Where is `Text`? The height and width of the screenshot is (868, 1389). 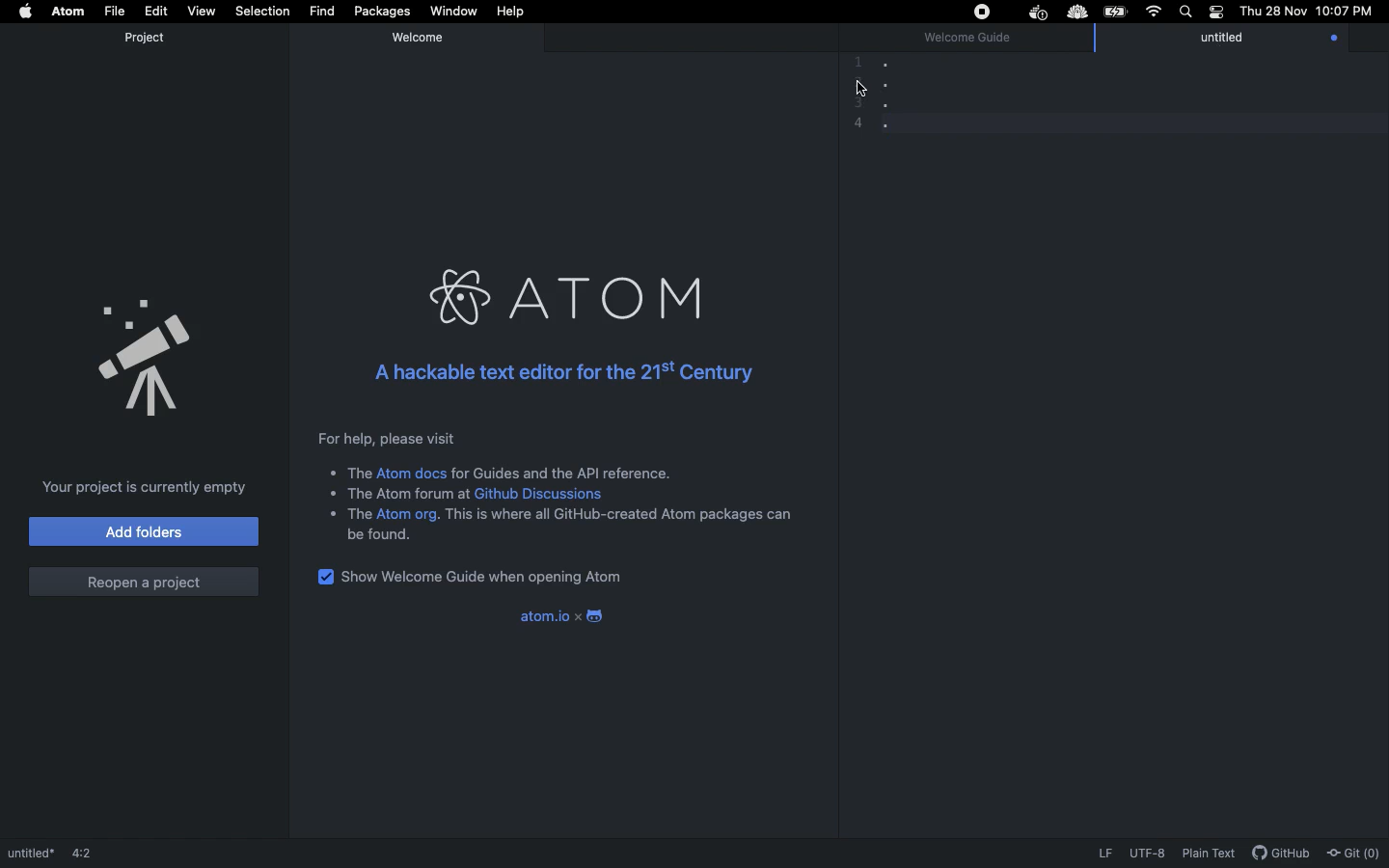 Text is located at coordinates (563, 472).